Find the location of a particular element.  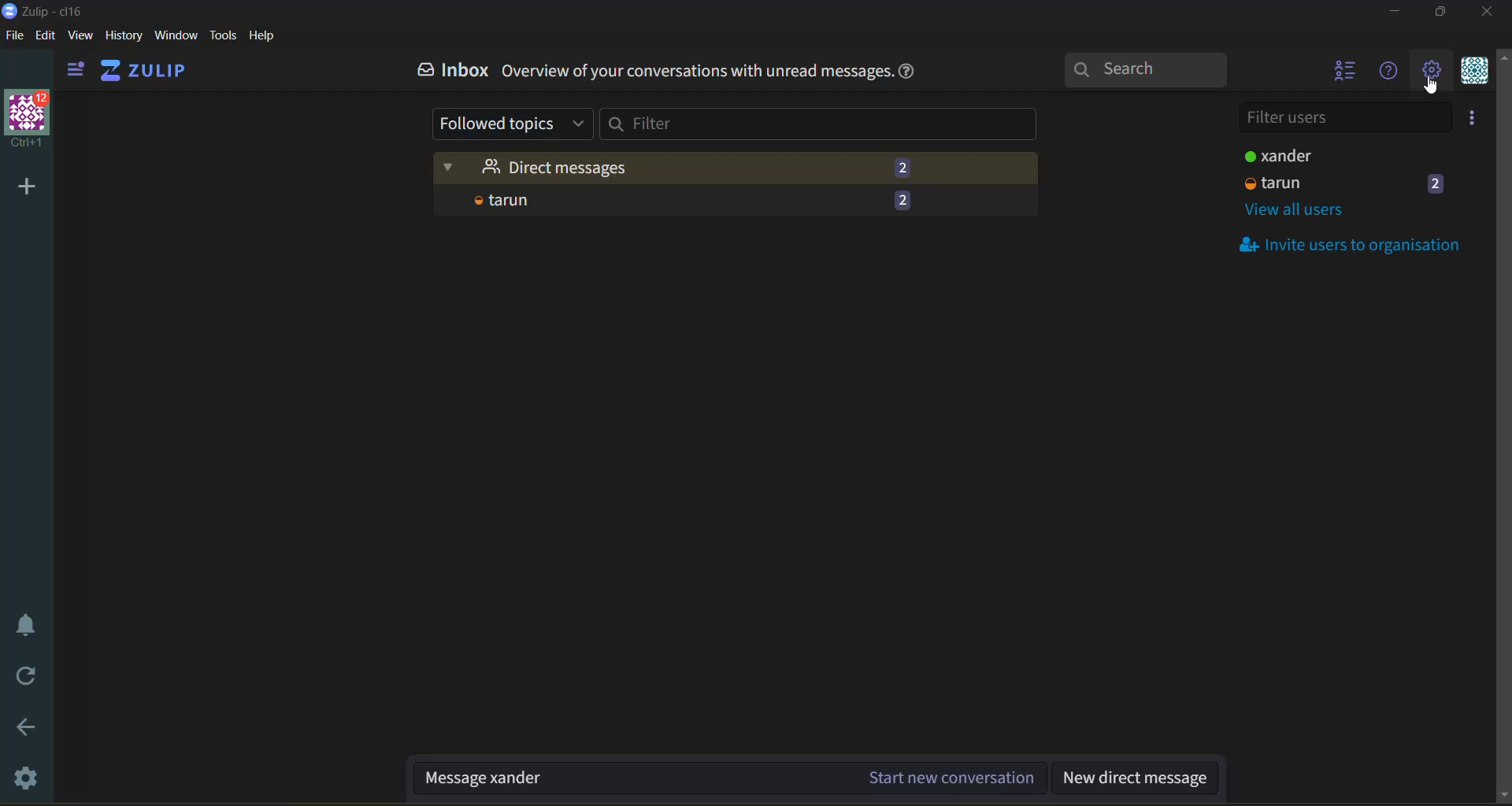

invite users to organisation is located at coordinates (1352, 245).